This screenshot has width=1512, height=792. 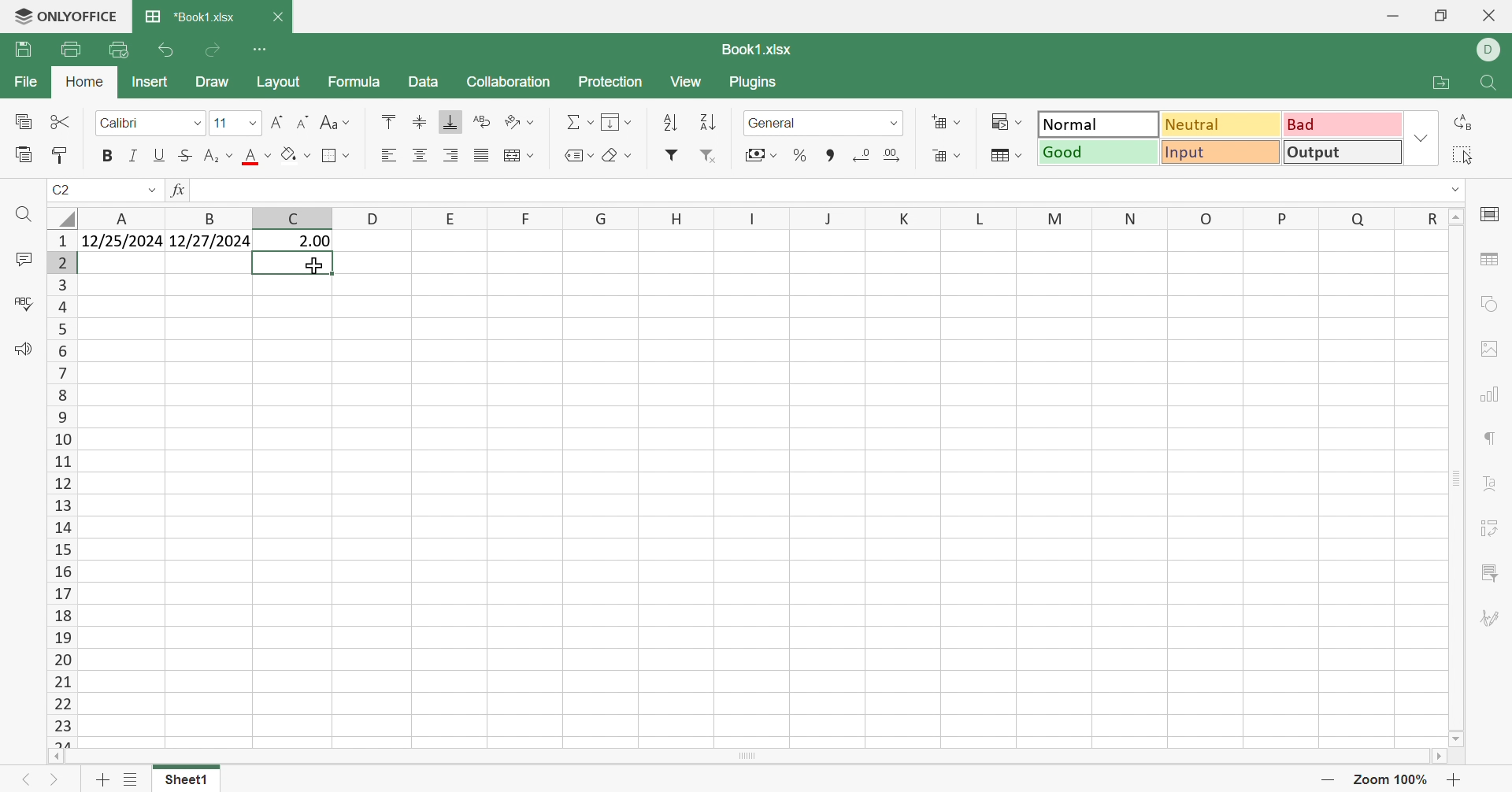 What do you see at coordinates (669, 122) in the screenshot?
I see `Ascending order` at bounding box center [669, 122].